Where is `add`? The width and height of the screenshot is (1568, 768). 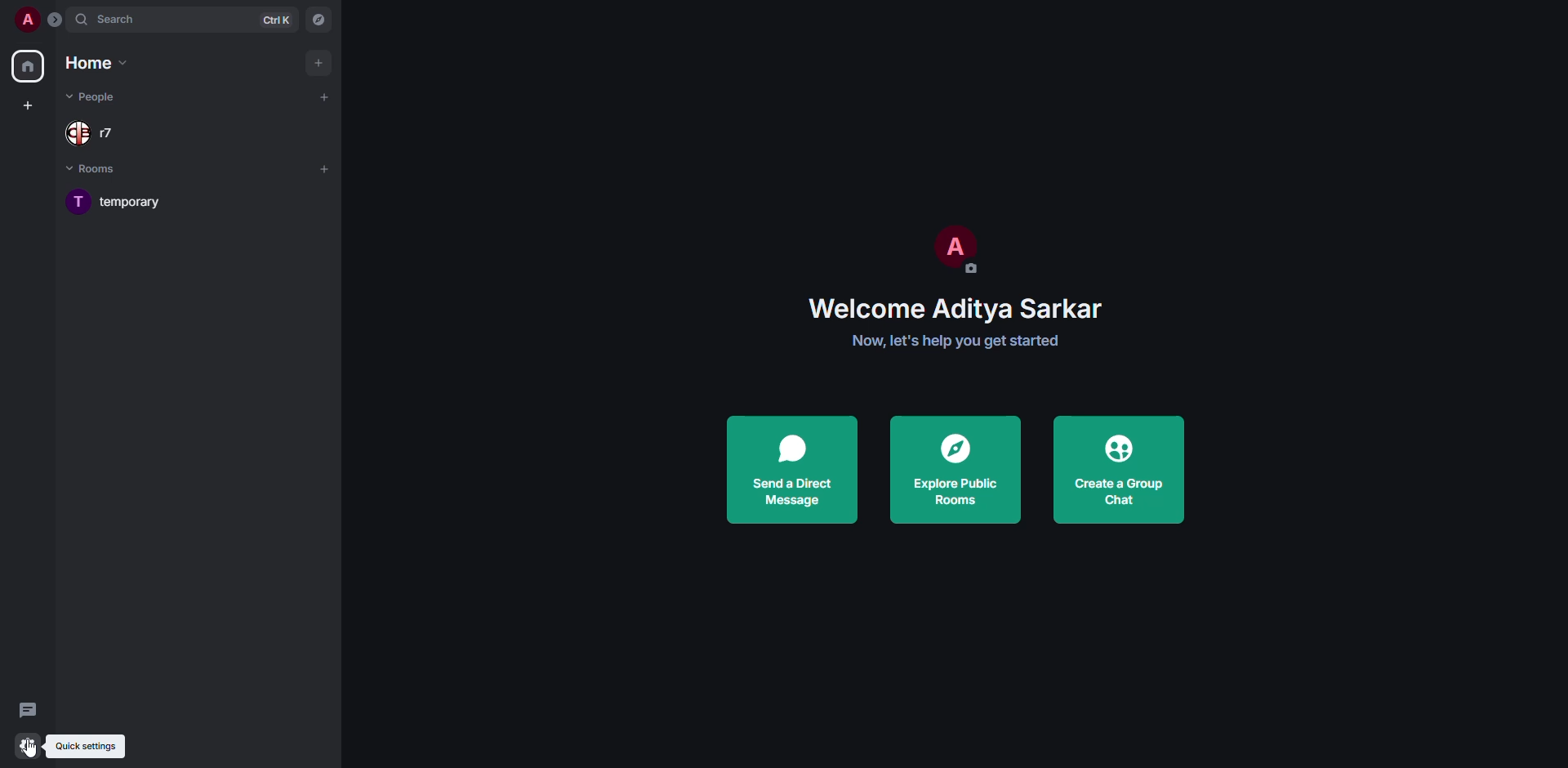 add is located at coordinates (325, 167).